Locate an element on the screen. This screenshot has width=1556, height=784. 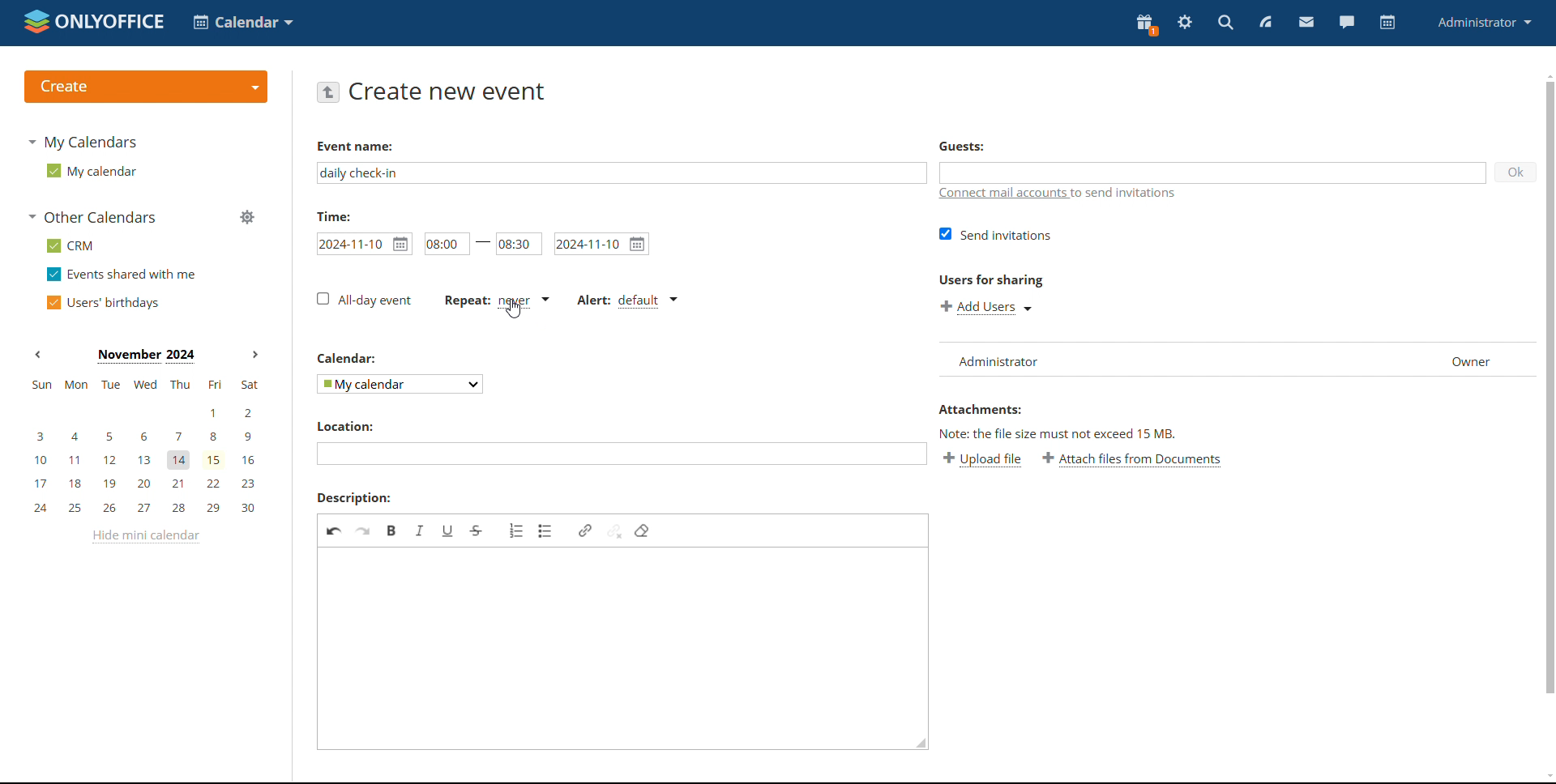
end time is located at coordinates (519, 245).